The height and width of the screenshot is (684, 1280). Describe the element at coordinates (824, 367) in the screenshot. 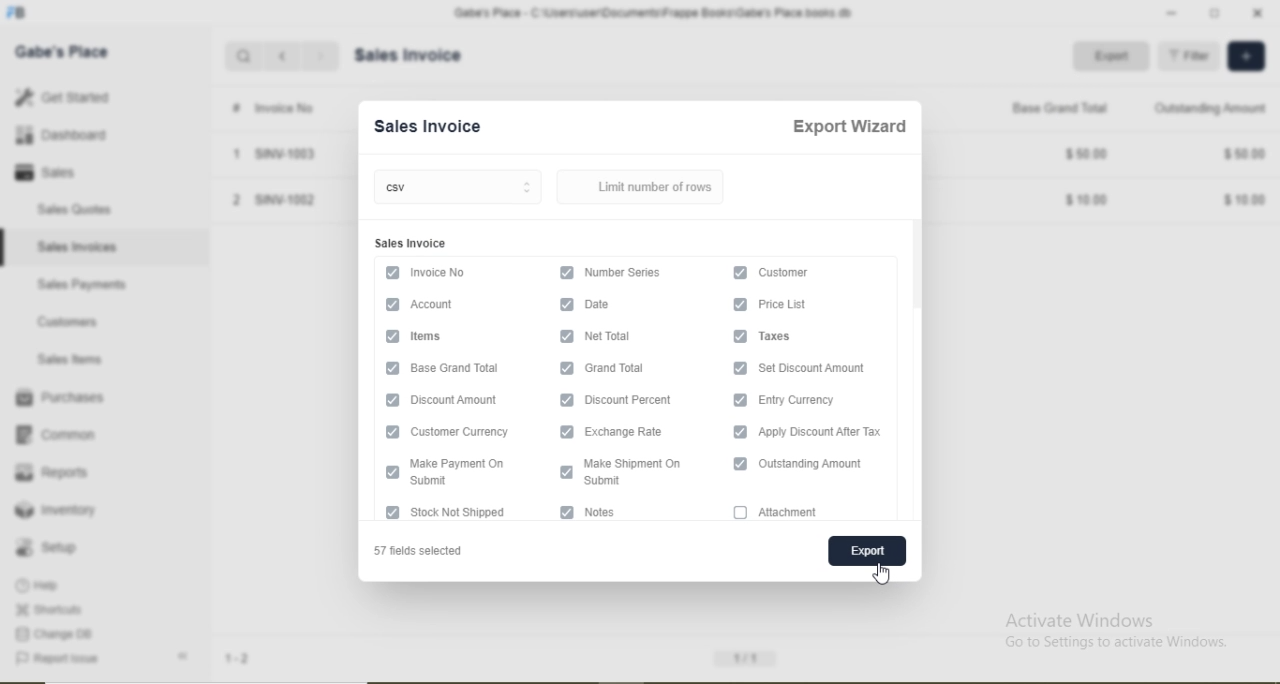

I see `Set Discount Amount` at that location.